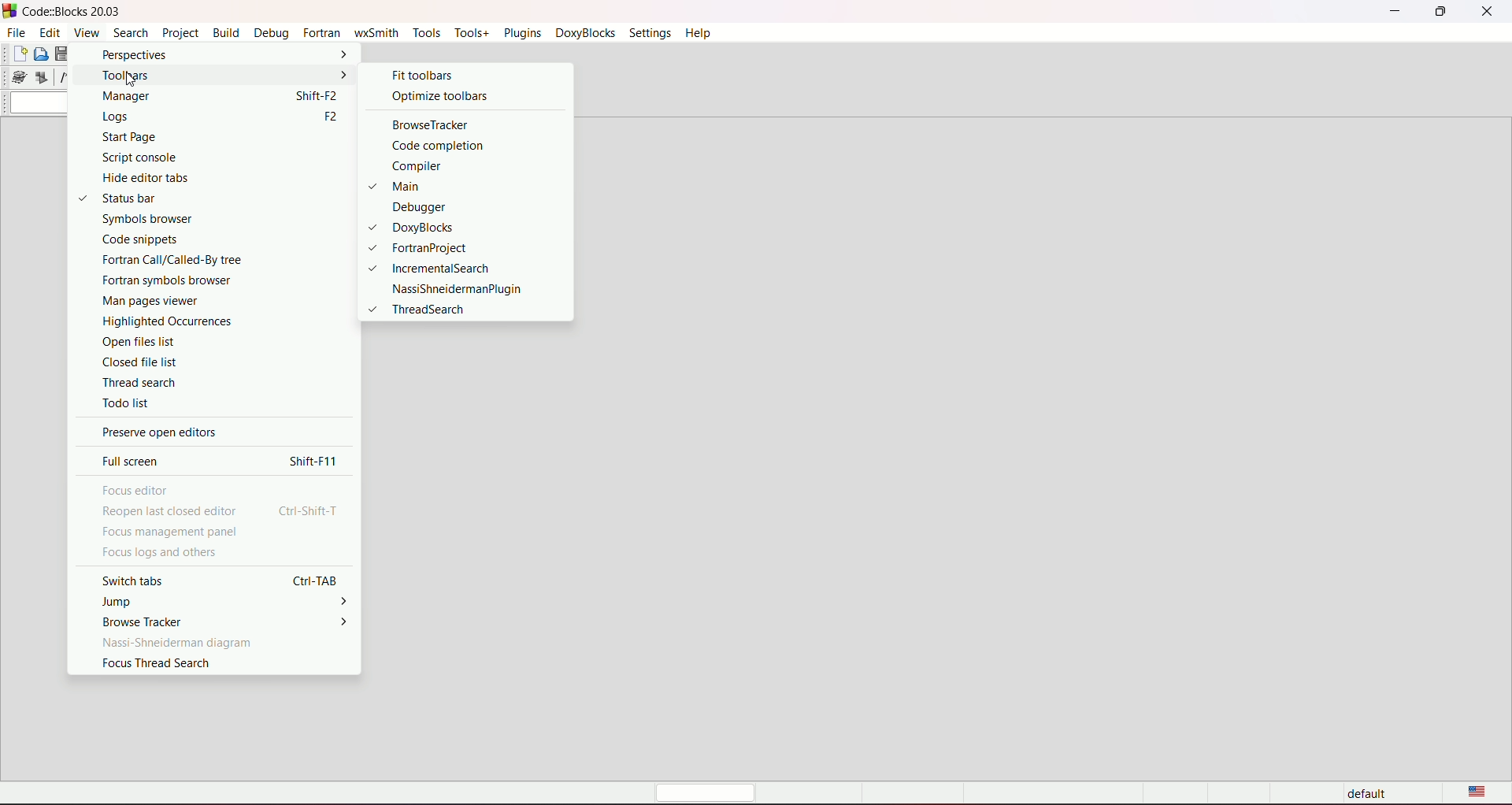 This screenshot has width=1512, height=805. What do you see at coordinates (196, 137) in the screenshot?
I see `start page` at bounding box center [196, 137].